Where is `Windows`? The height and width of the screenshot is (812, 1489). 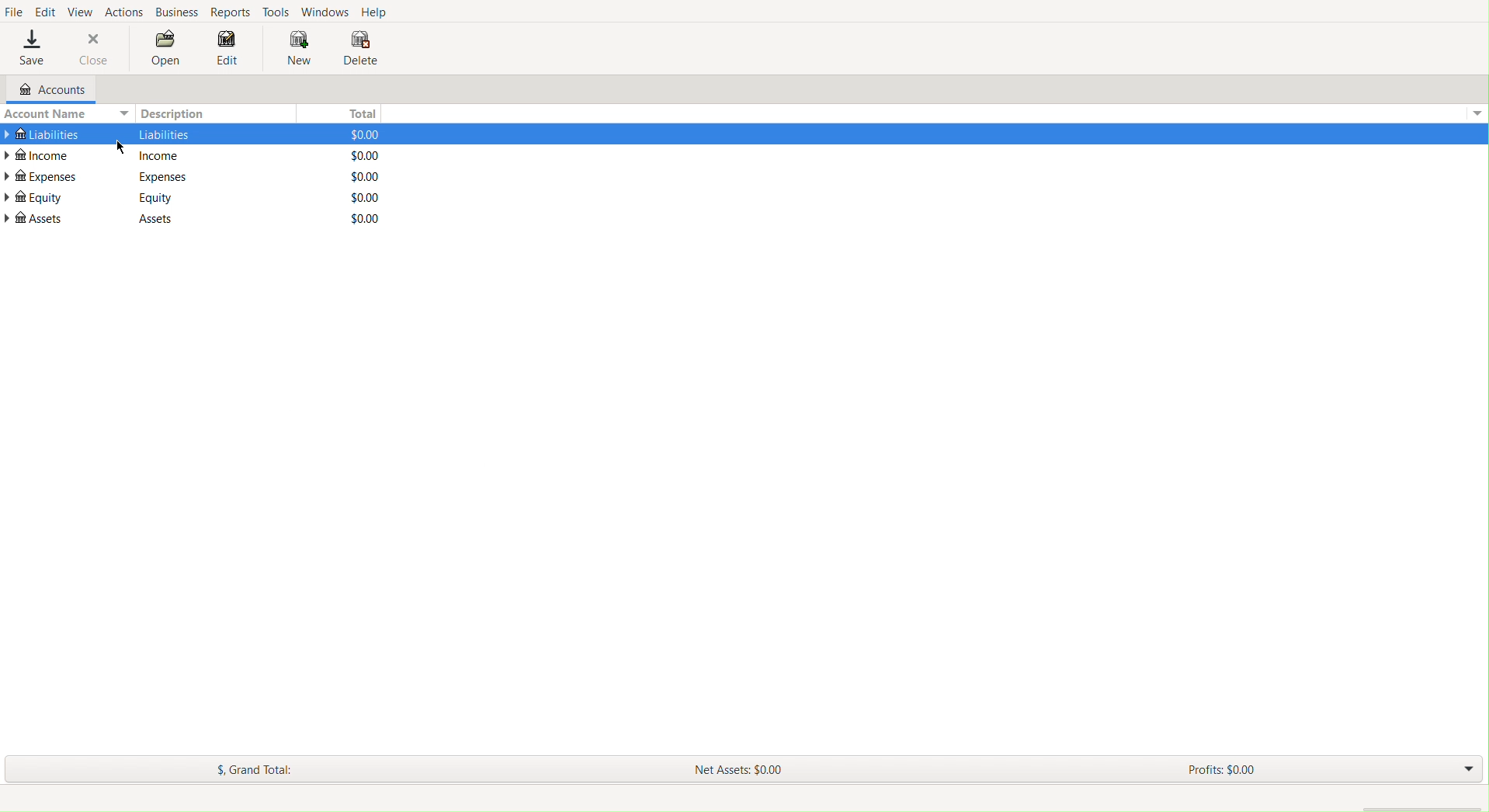 Windows is located at coordinates (325, 11).